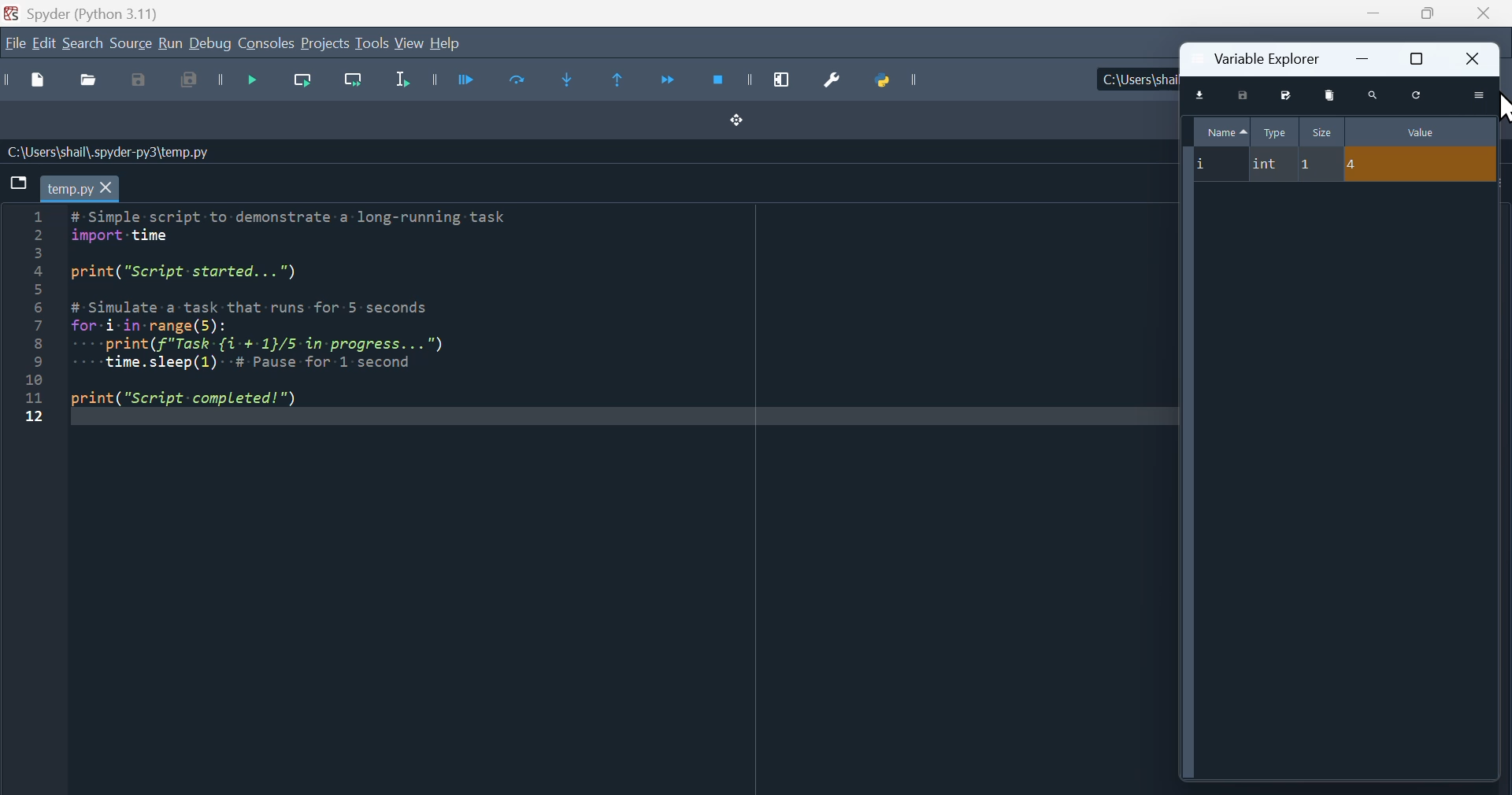  What do you see at coordinates (898, 79) in the screenshot?
I see `Python path manager` at bounding box center [898, 79].